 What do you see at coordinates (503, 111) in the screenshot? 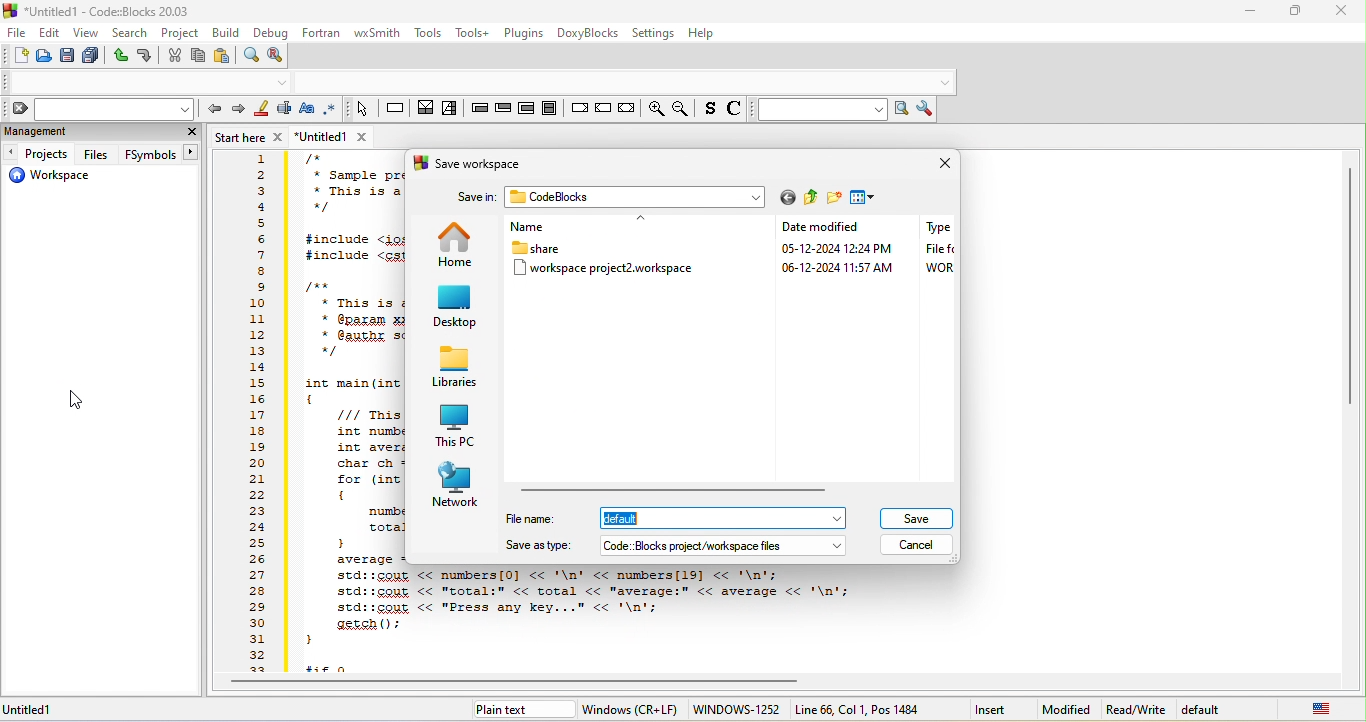
I see `exit` at bounding box center [503, 111].